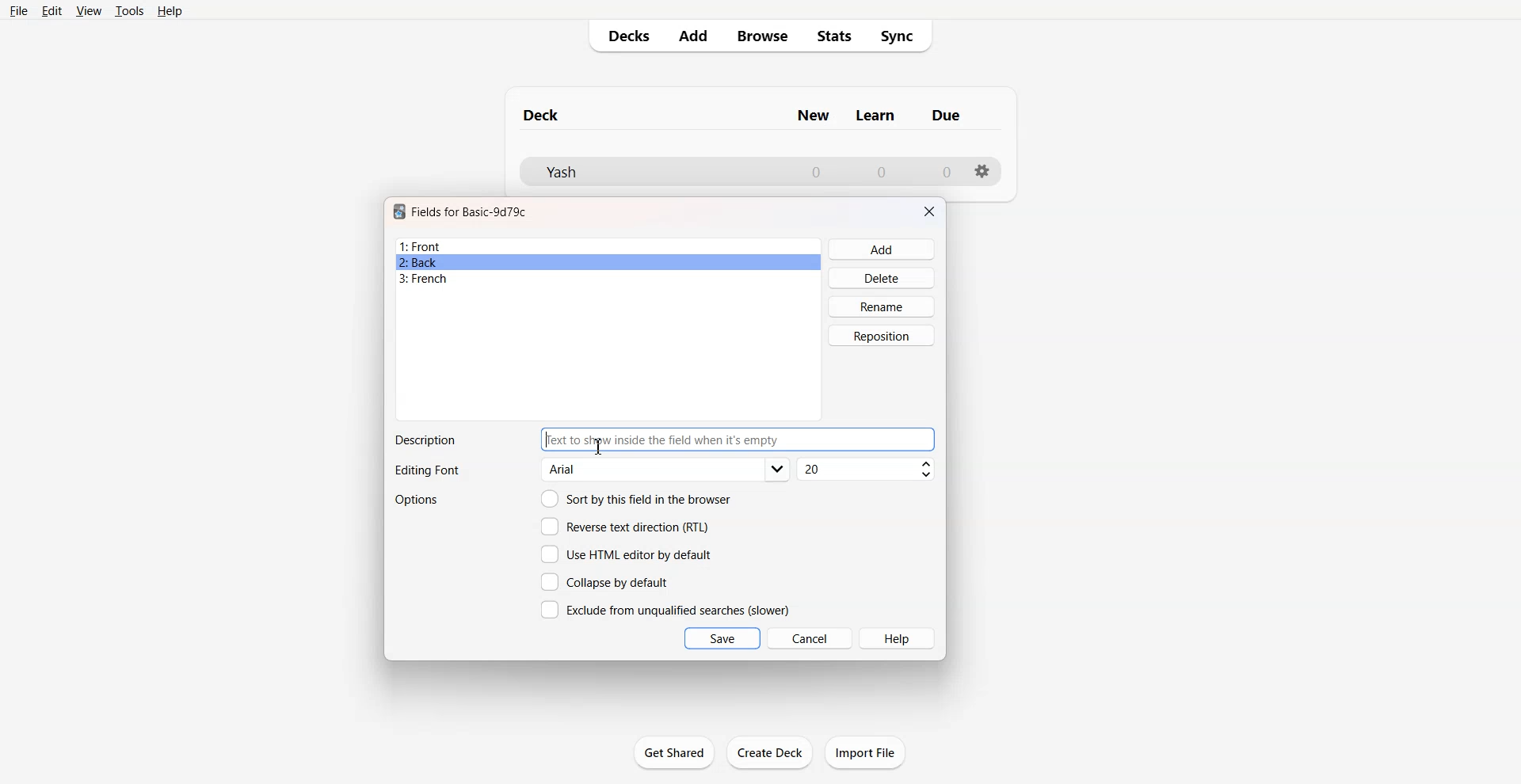  What do you see at coordinates (882, 171) in the screenshot?
I see `Number of Learn cards` at bounding box center [882, 171].